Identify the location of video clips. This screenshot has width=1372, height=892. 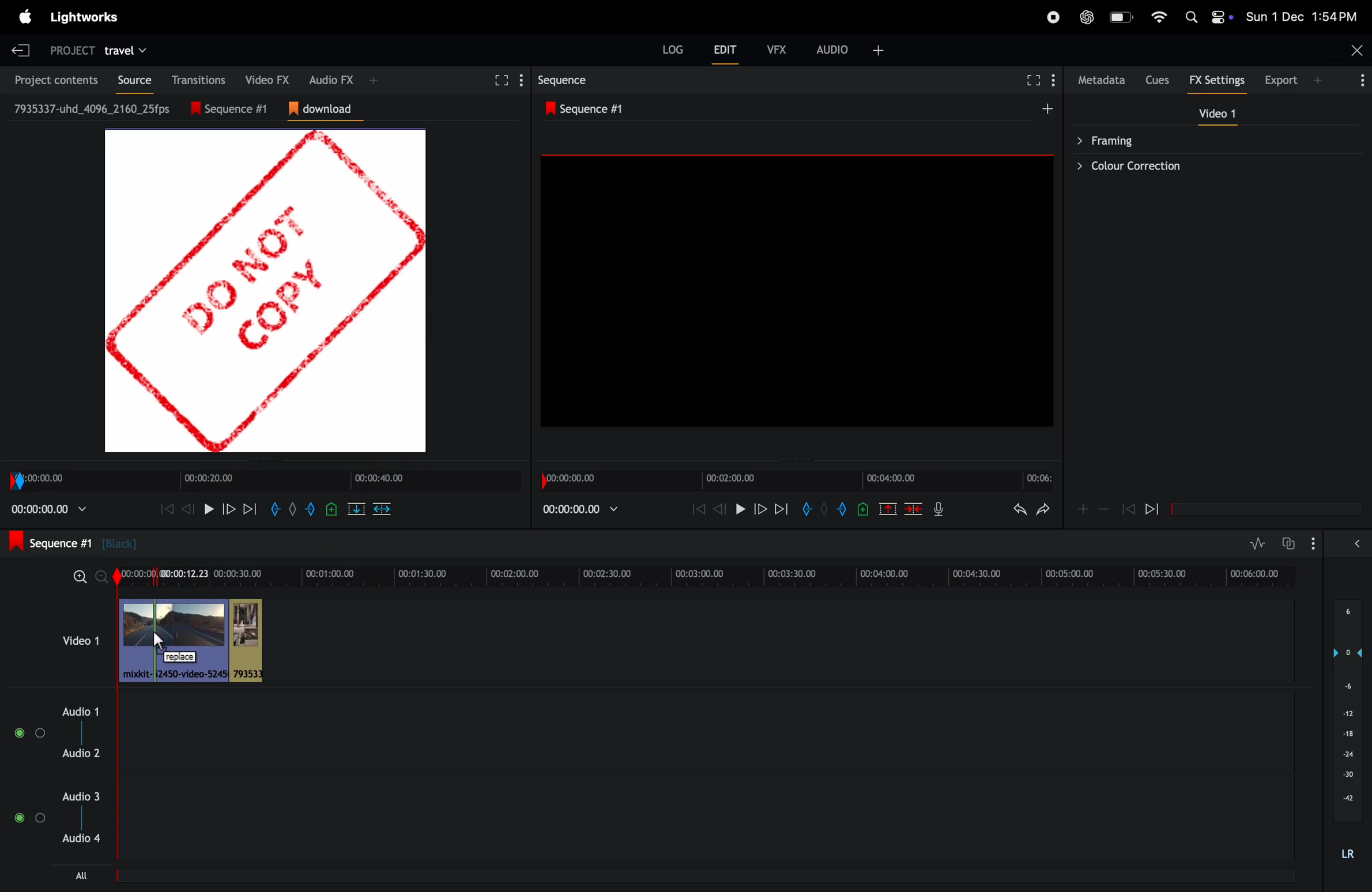
(194, 640).